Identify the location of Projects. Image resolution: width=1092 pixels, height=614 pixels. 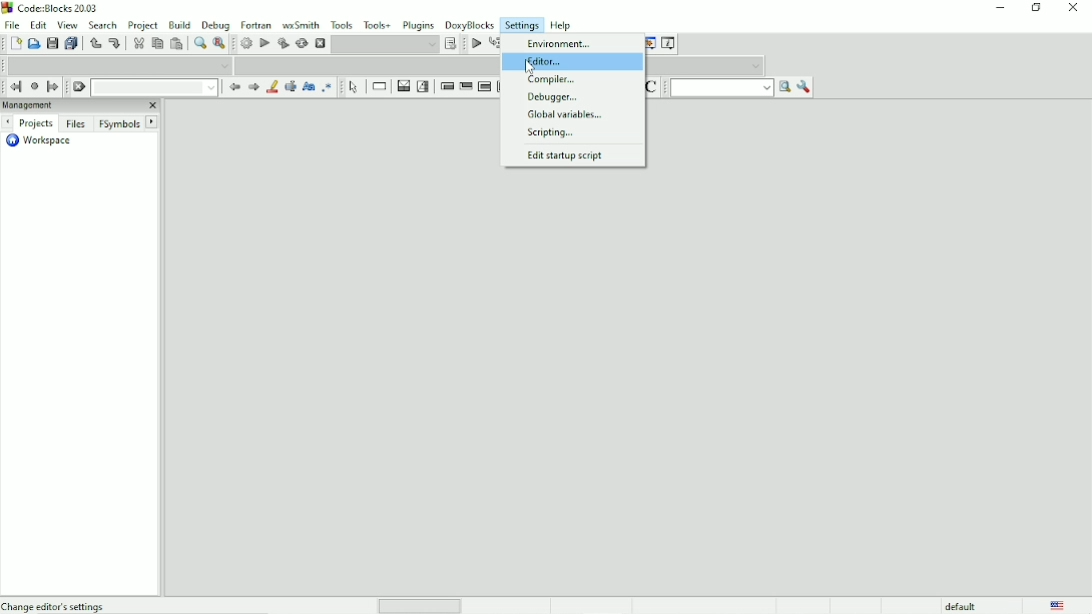
(35, 123).